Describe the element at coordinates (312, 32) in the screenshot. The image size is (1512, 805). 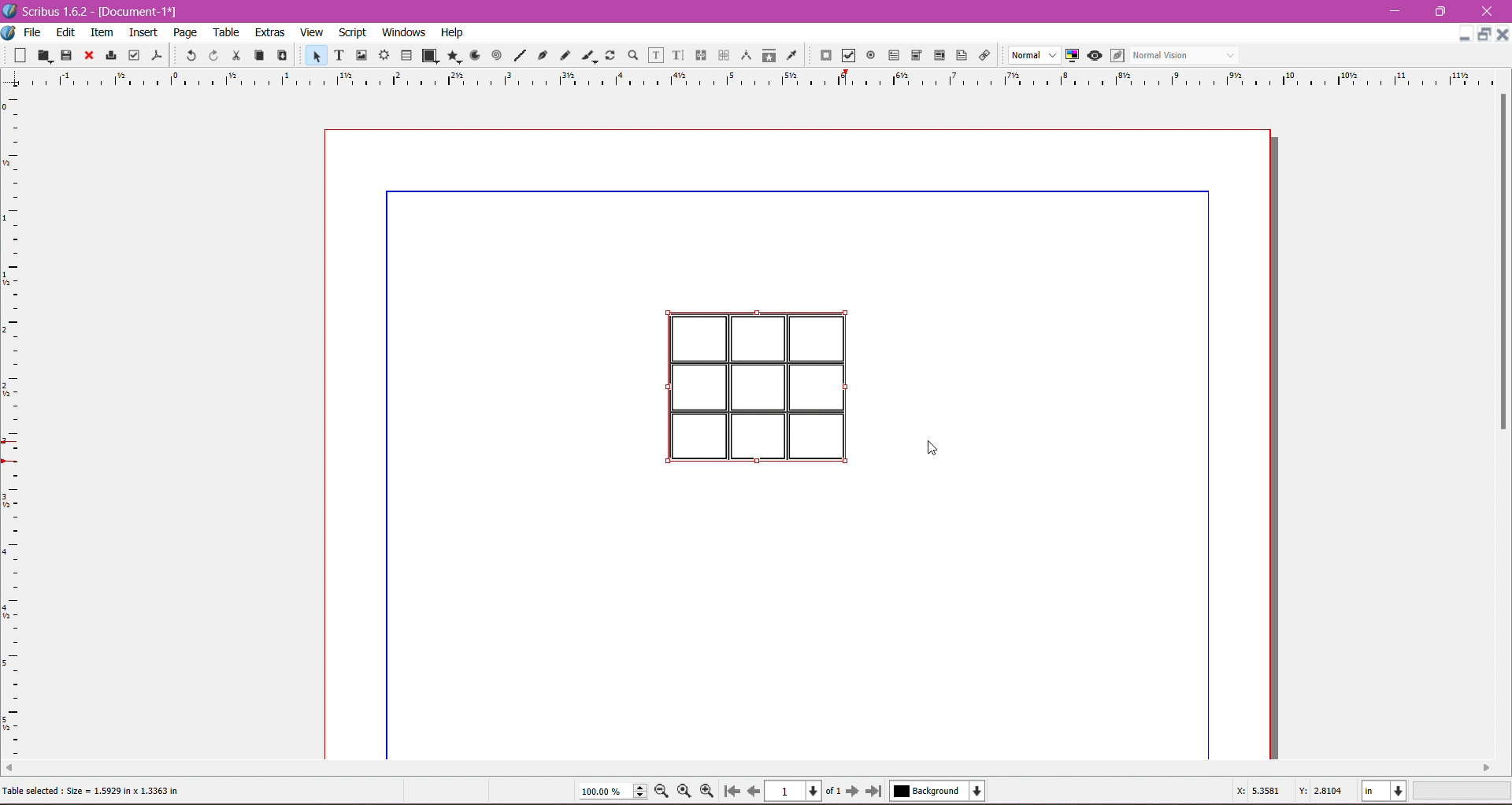
I see `View` at that location.